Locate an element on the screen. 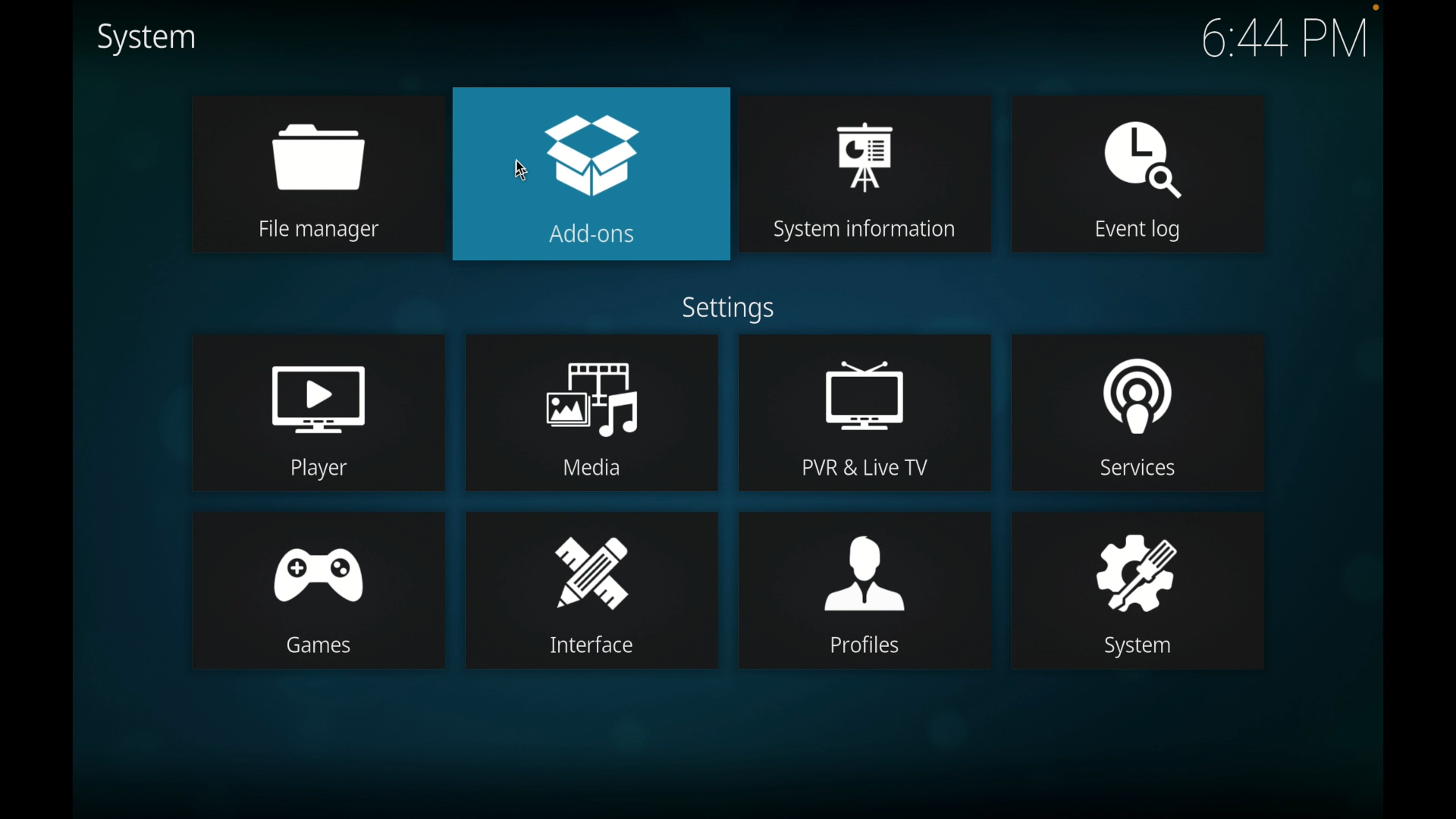  system information is located at coordinates (868, 174).